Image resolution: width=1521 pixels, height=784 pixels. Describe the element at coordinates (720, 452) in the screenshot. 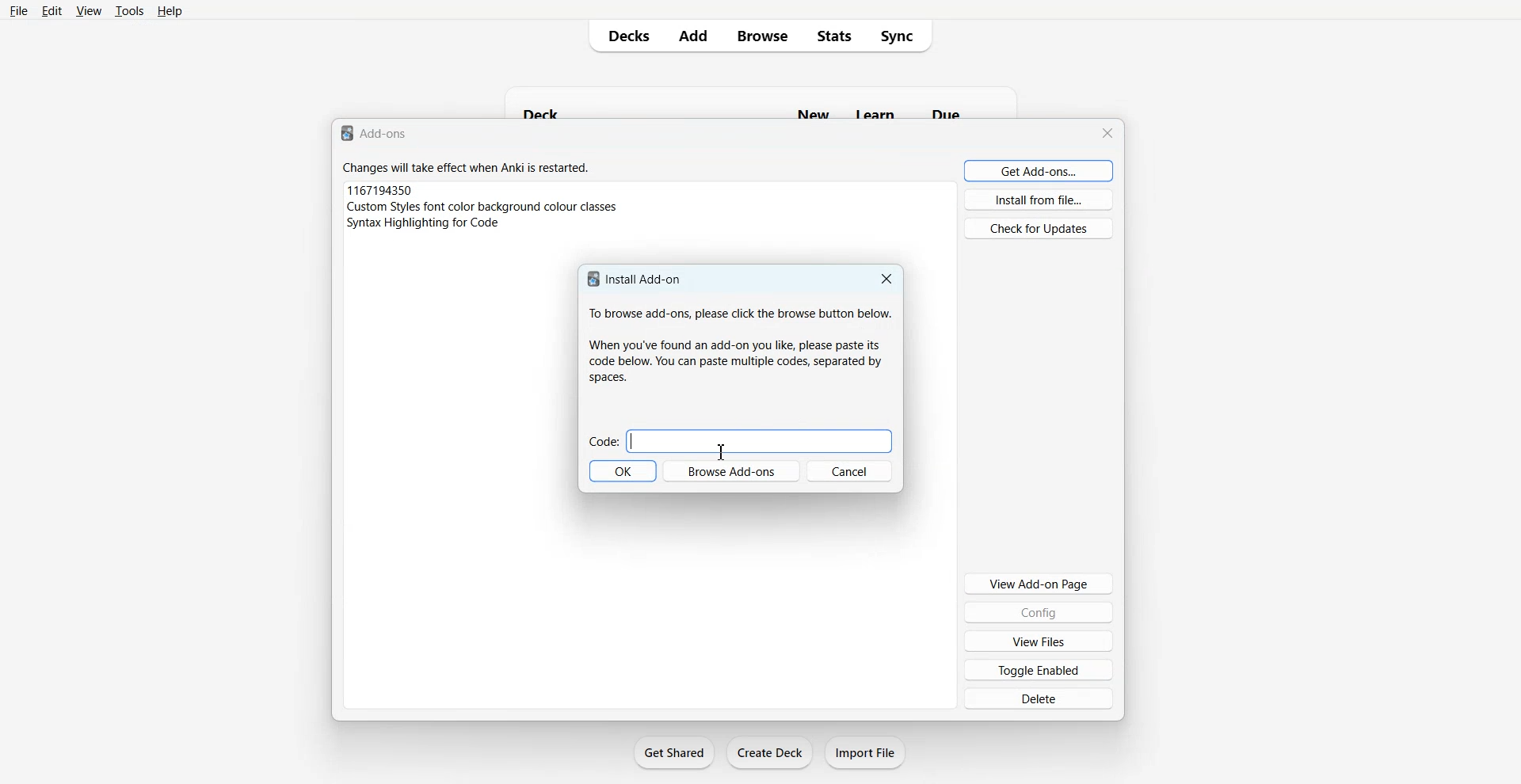

I see `cursor` at that location.